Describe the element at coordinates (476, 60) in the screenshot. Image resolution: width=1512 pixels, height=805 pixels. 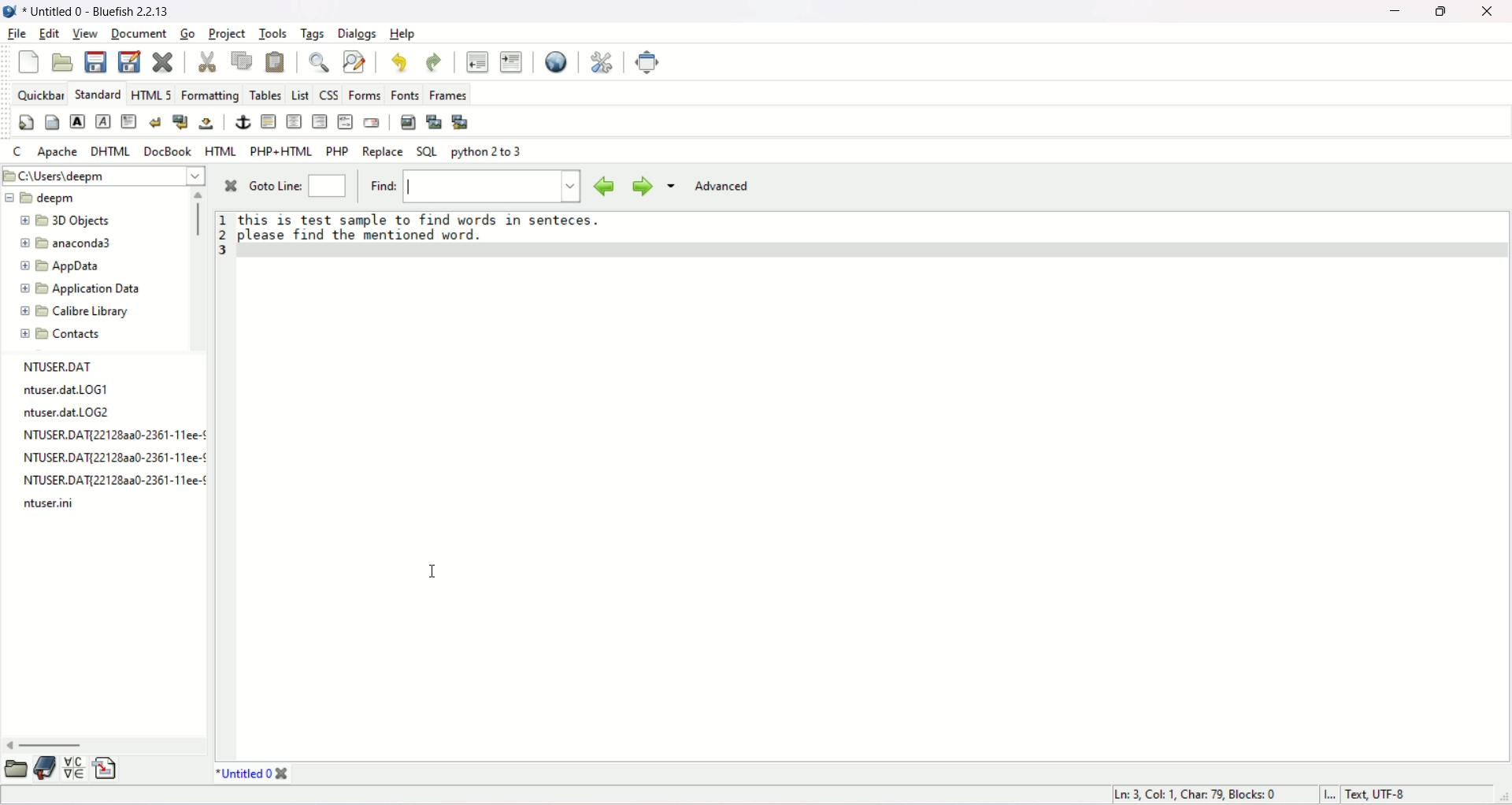
I see `unindent` at that location.